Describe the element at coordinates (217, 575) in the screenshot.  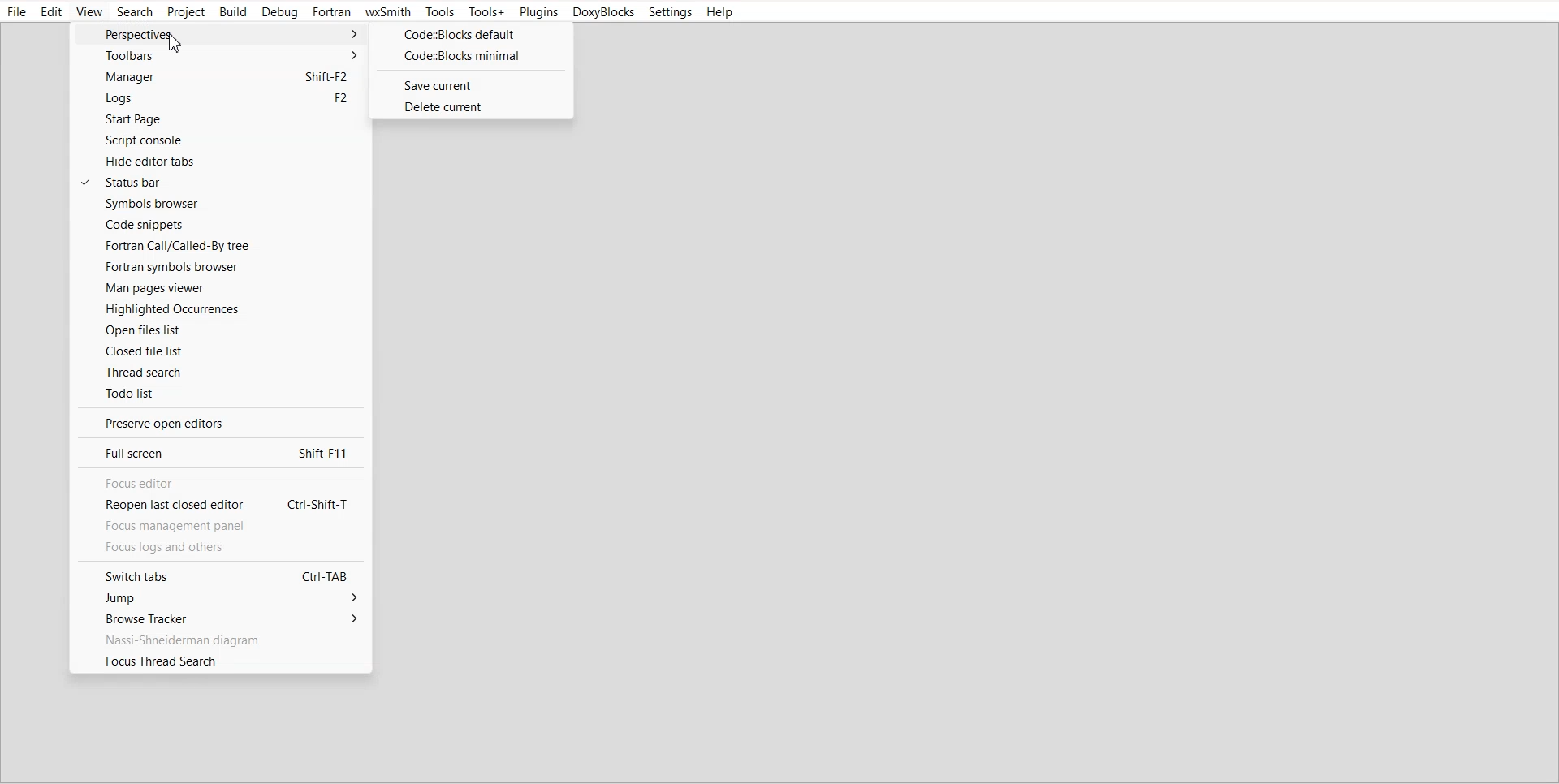
I see `Switch tabs` at that location.